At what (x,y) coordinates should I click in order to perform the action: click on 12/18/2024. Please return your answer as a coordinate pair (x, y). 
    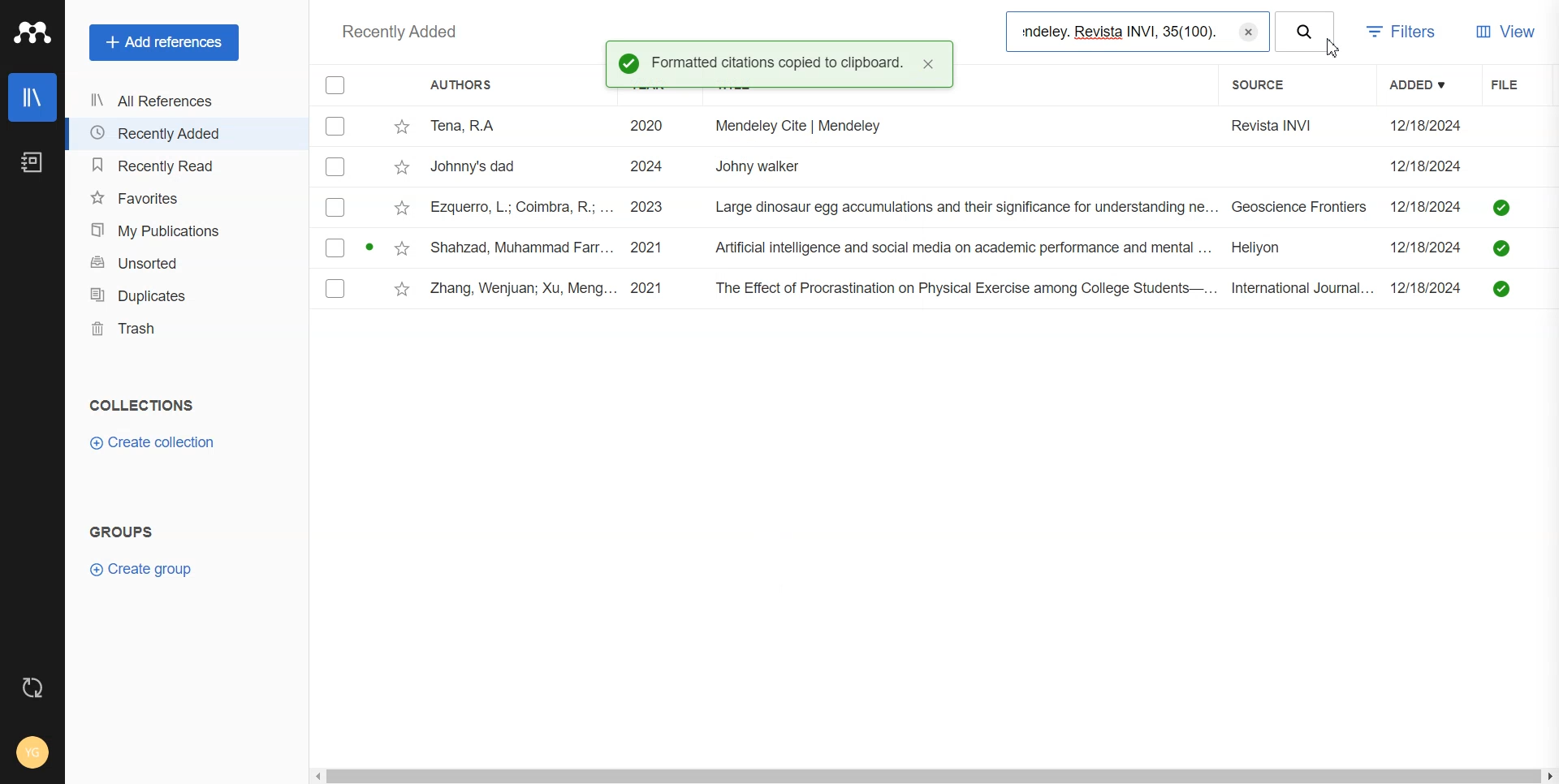
    Looking at the image, I should click on (1431, 245).